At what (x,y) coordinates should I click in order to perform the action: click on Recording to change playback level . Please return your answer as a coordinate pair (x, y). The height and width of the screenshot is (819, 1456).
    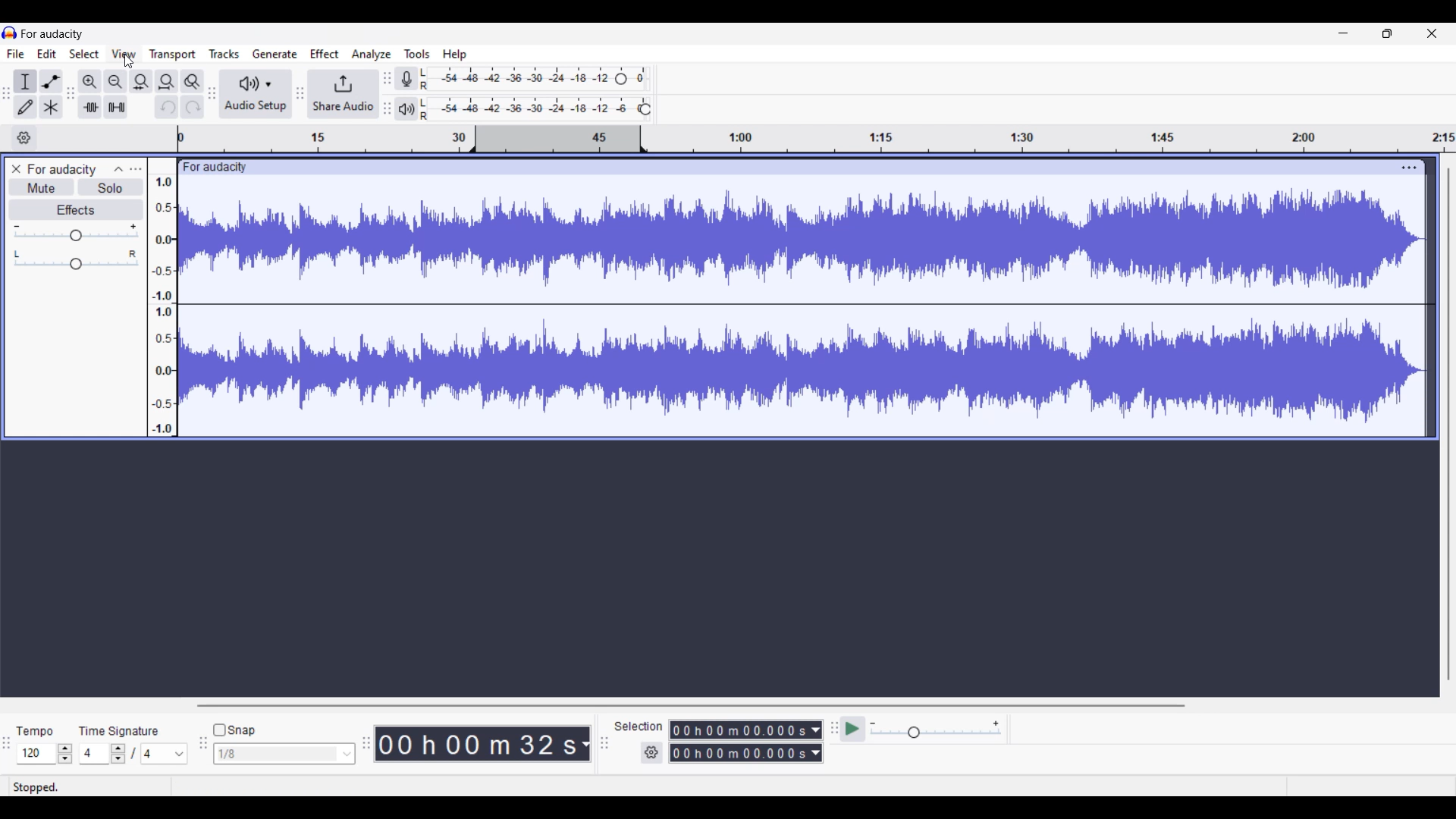
    Looking at the image, I should click on (645, 109).